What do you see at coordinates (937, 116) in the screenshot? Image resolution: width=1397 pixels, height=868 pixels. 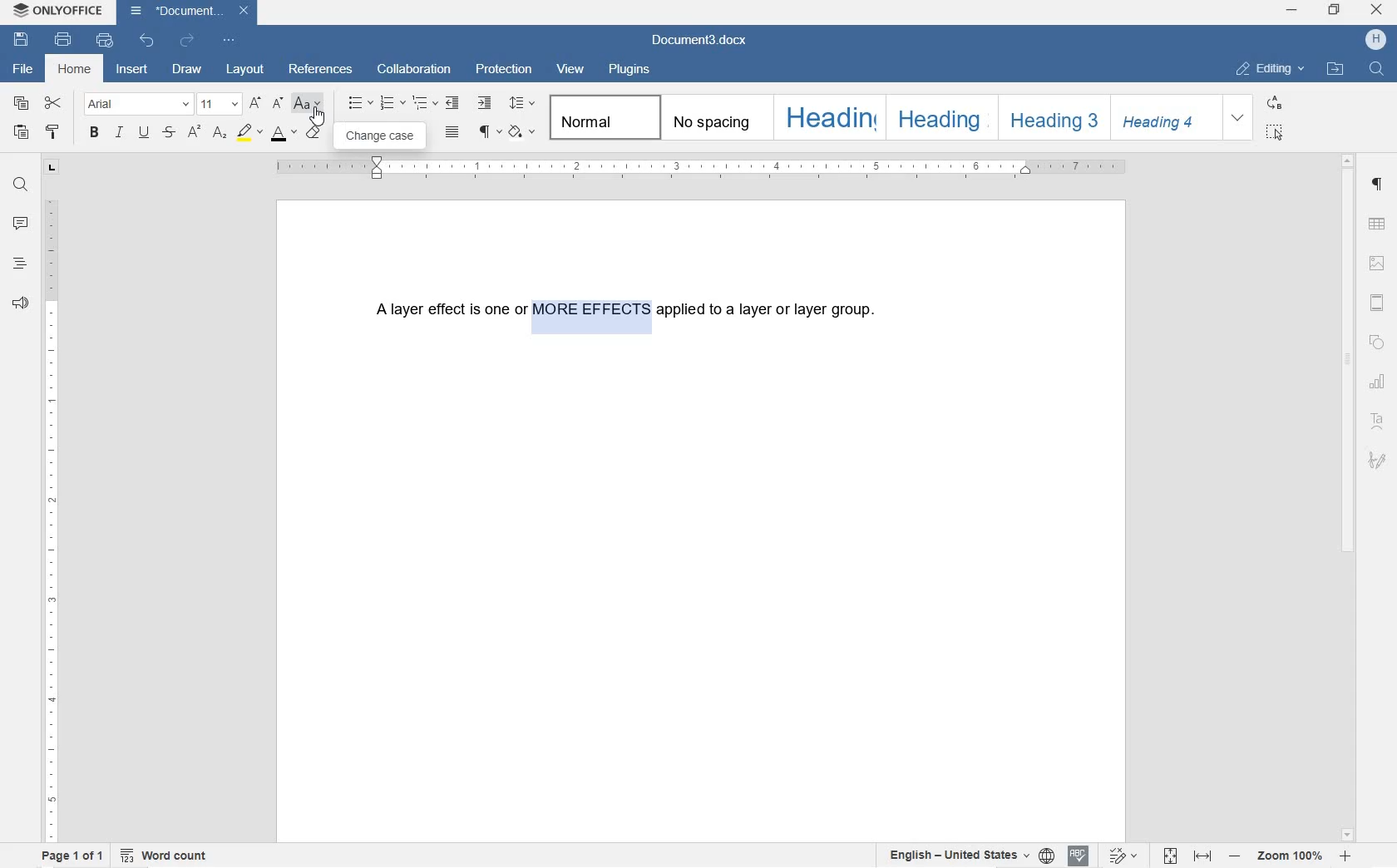 I see `HEADING 2` at bounding box center [937, 116].